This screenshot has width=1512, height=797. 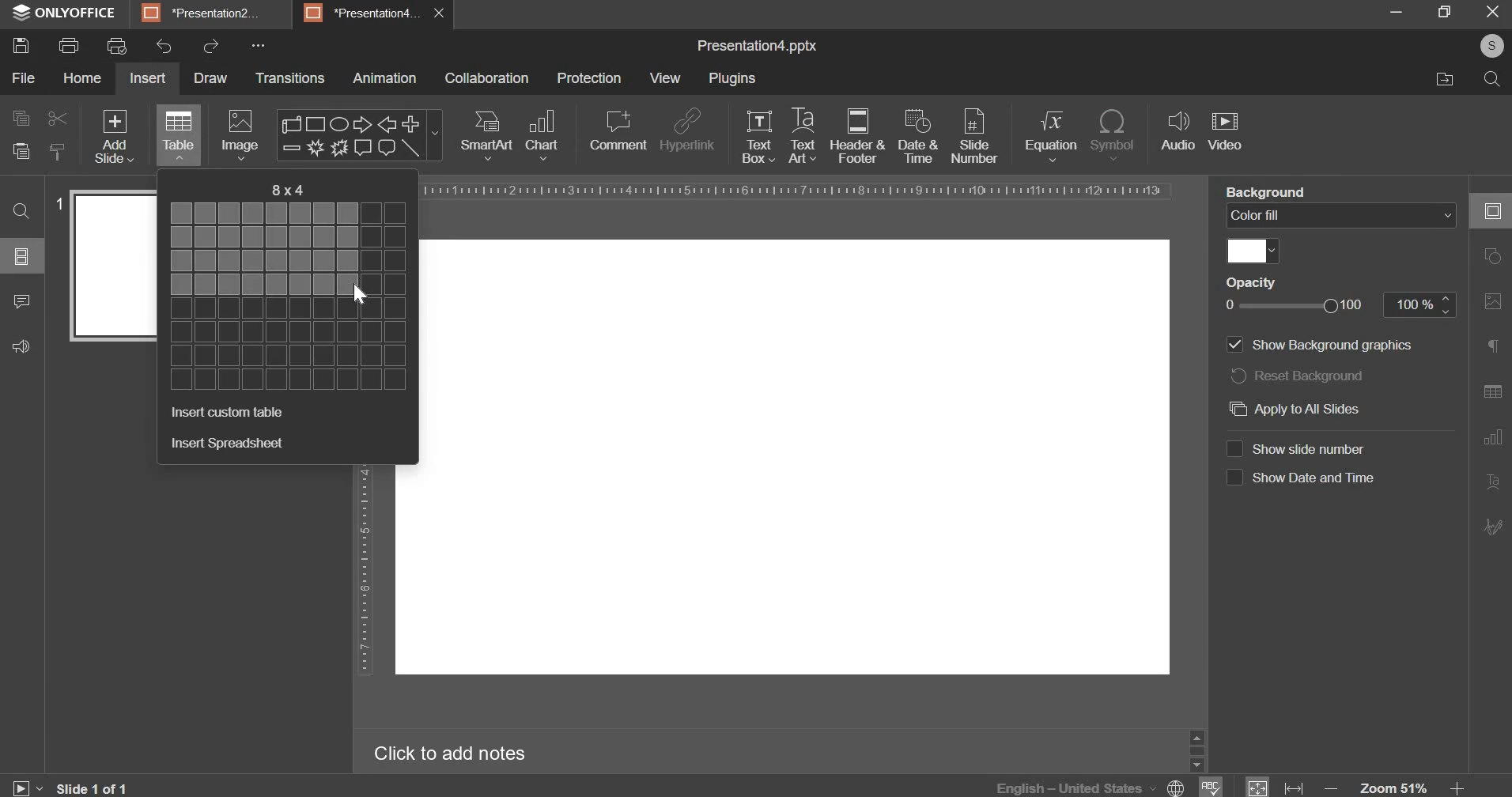 What do you see at coordinates (69, 47) in the screenshot?
I see `print` at bounding box center [69, 47].